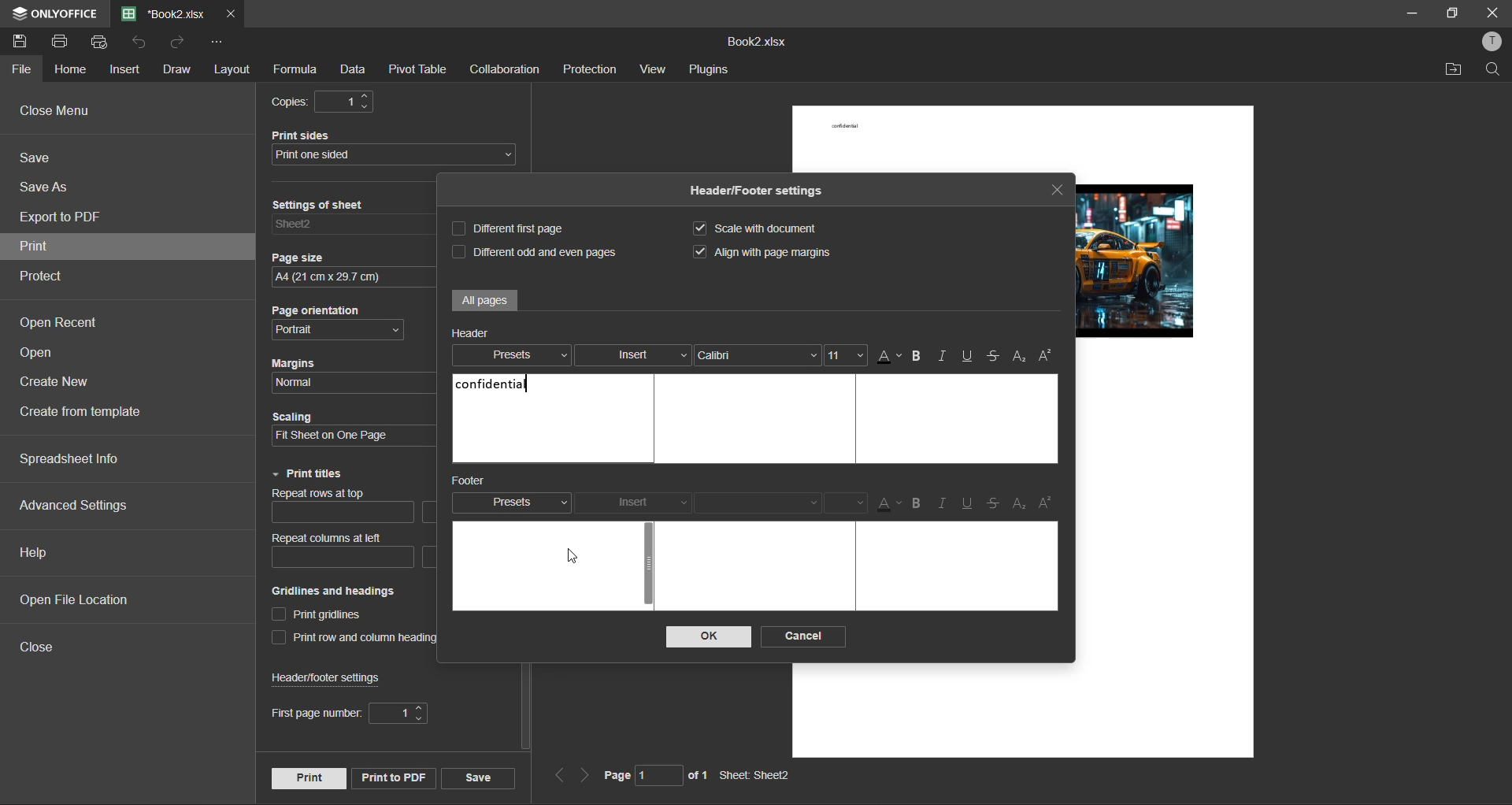 This screenshot has height=805, width=1512. Describe the element at coordinates (51, 185) in the screenshot. I see `save as ` at that location.